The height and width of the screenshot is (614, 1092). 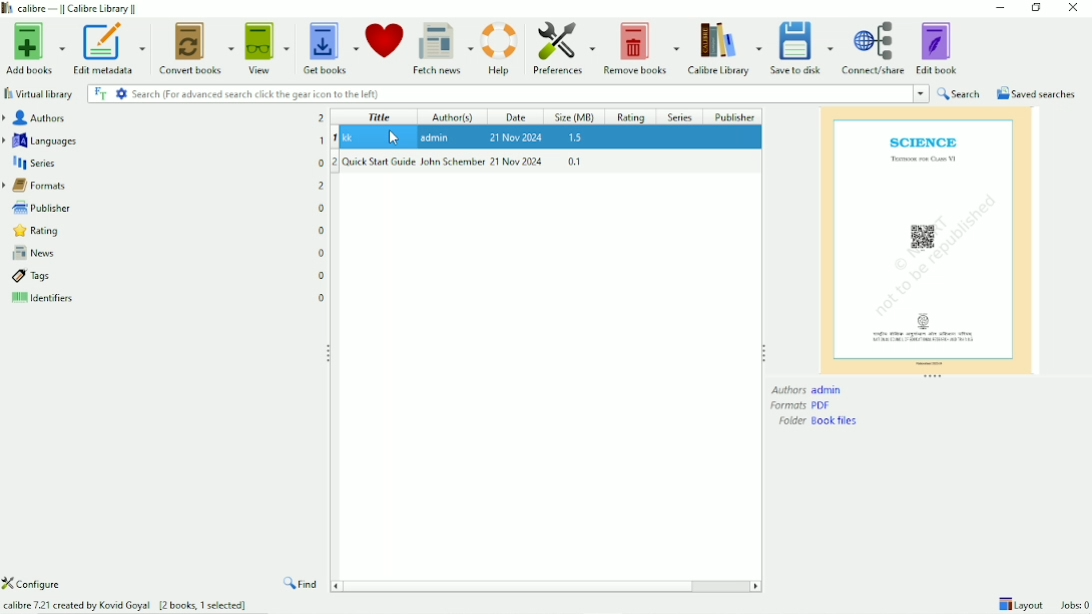 I want to click on Authors, so click(x=808, y=390).